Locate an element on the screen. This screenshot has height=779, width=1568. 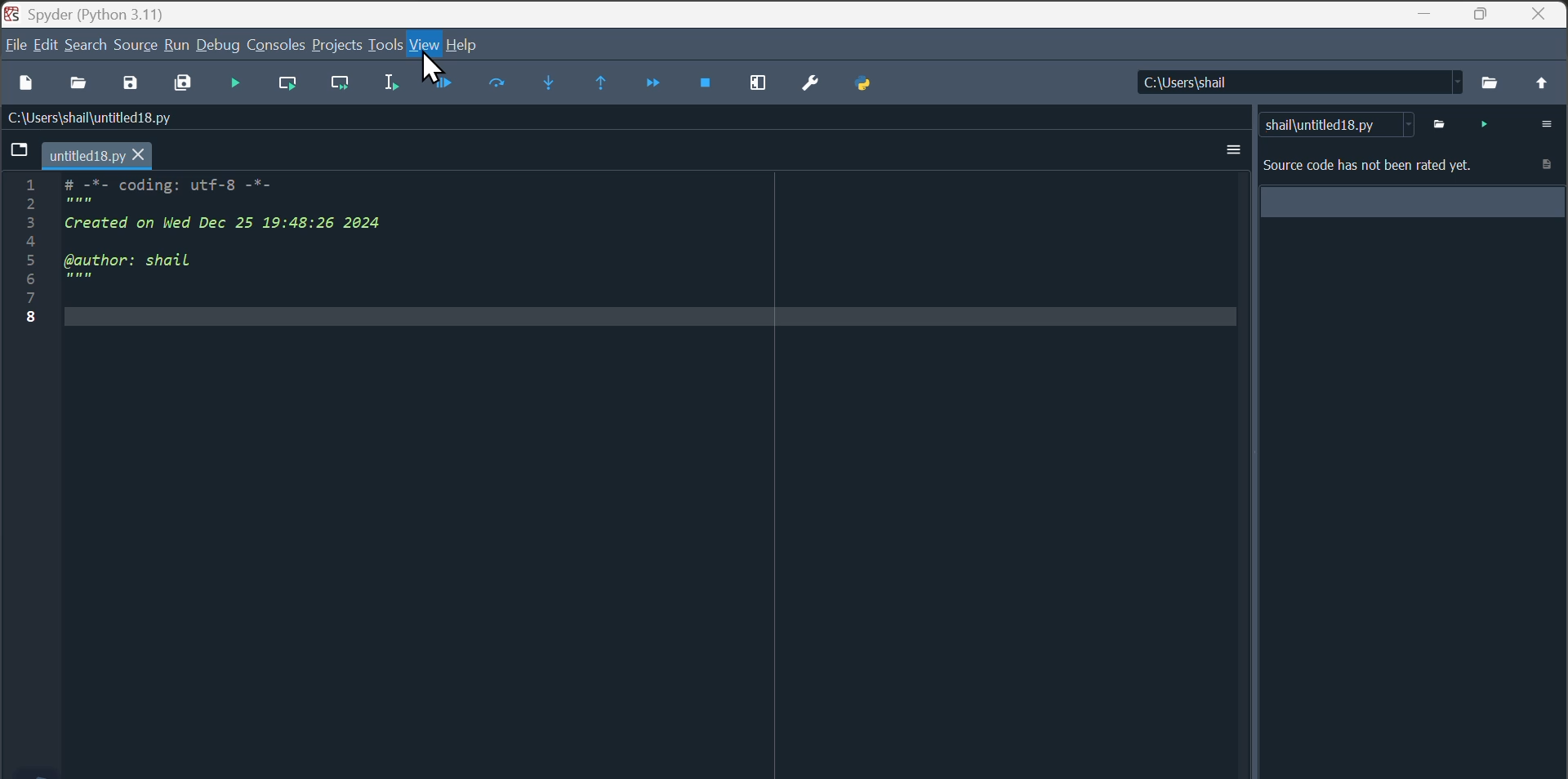
C:\Users\shail is located at coordinates (1294, 81).